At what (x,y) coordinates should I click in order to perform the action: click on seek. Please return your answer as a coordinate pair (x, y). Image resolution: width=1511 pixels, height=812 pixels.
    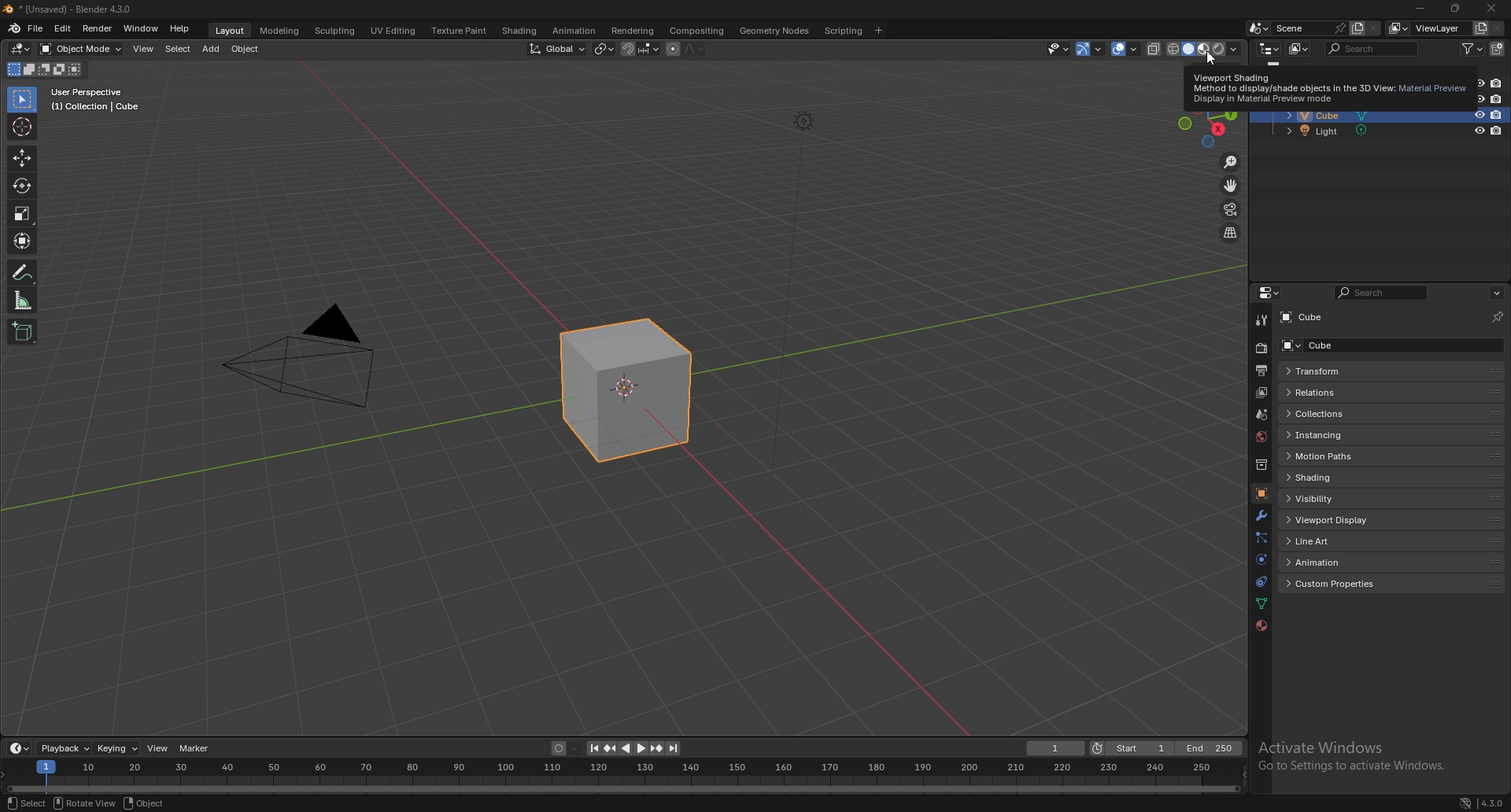
    Looking at the image, I should click on (626, 778).